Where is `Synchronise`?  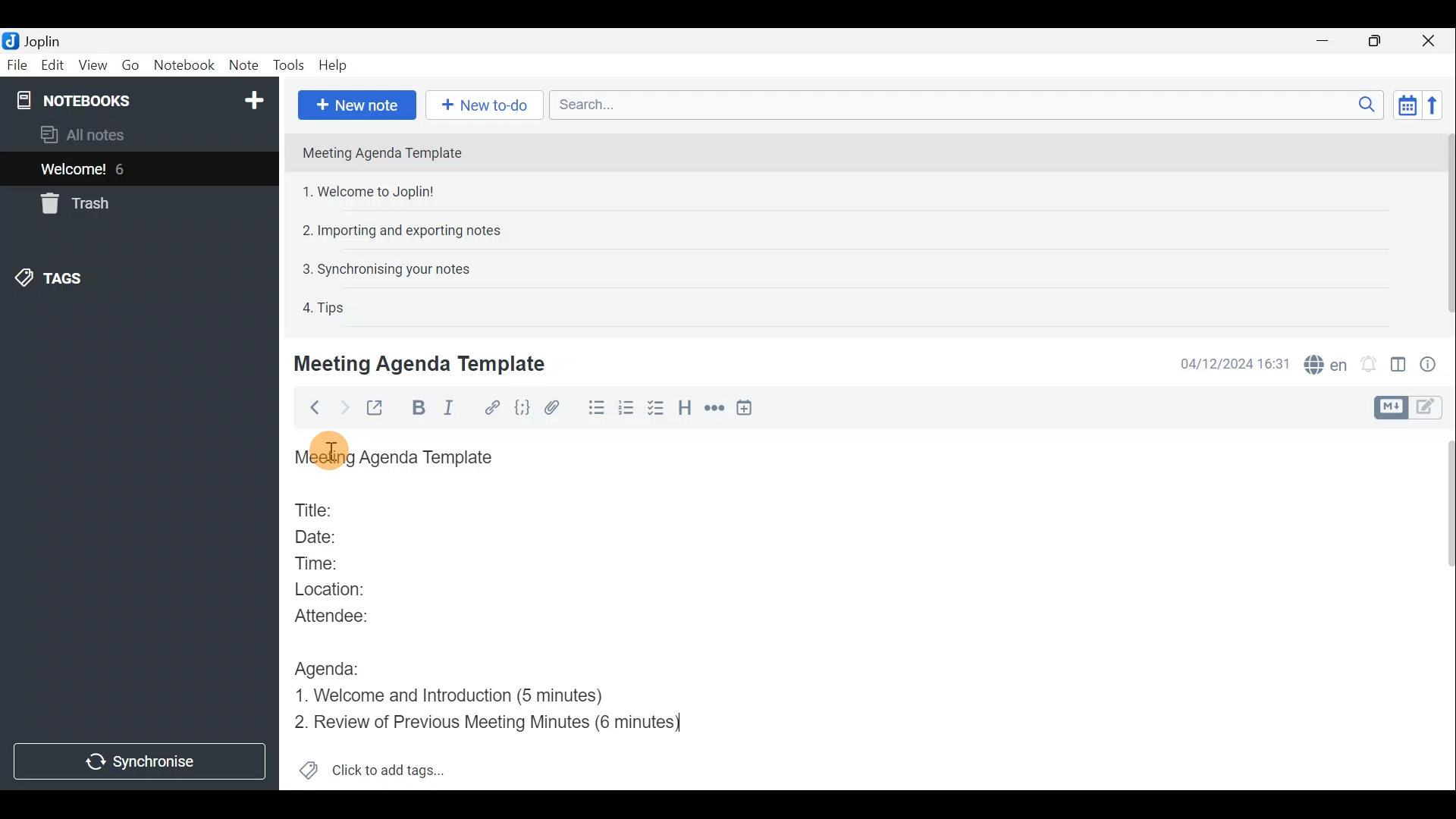 Synchronise is located at coordinates (140, 761).